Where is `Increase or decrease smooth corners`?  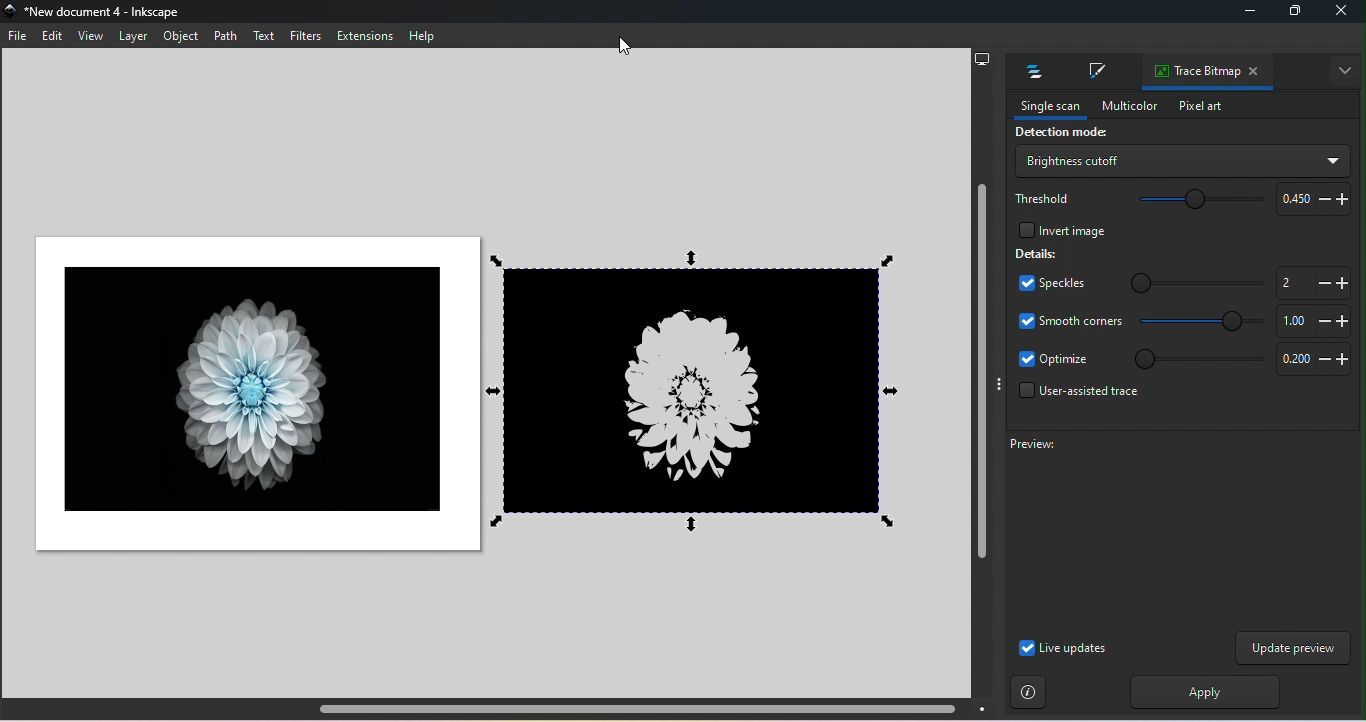 Increase or decrease smooth corners is located at coordinates (1311, 321).